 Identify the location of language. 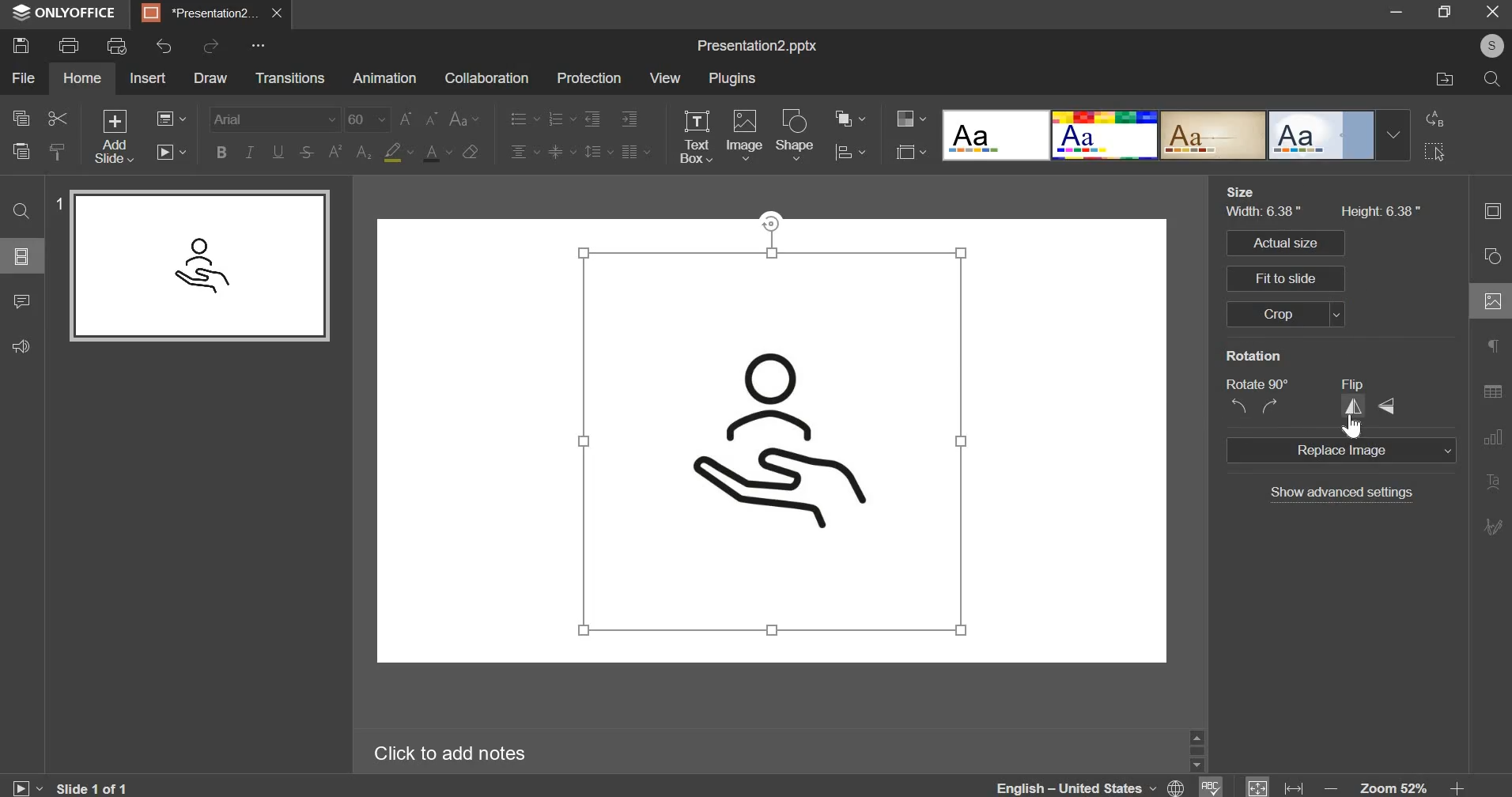
(1093, 786).